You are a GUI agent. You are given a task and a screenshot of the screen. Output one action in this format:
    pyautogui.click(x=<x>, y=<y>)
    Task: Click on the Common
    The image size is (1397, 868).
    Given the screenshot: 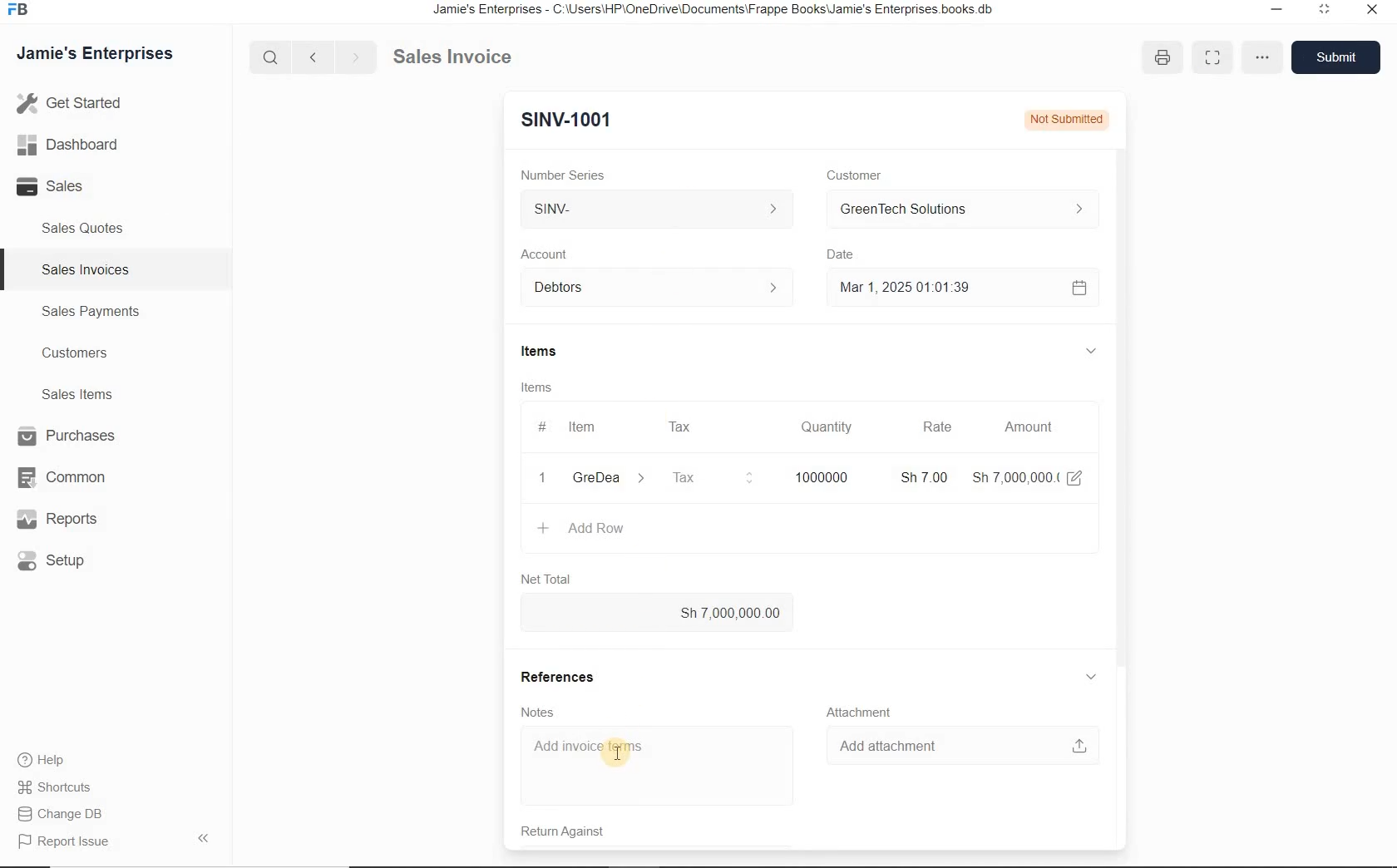 What is the action you would take?
    pyautogui.click(x=59, y=476)
    